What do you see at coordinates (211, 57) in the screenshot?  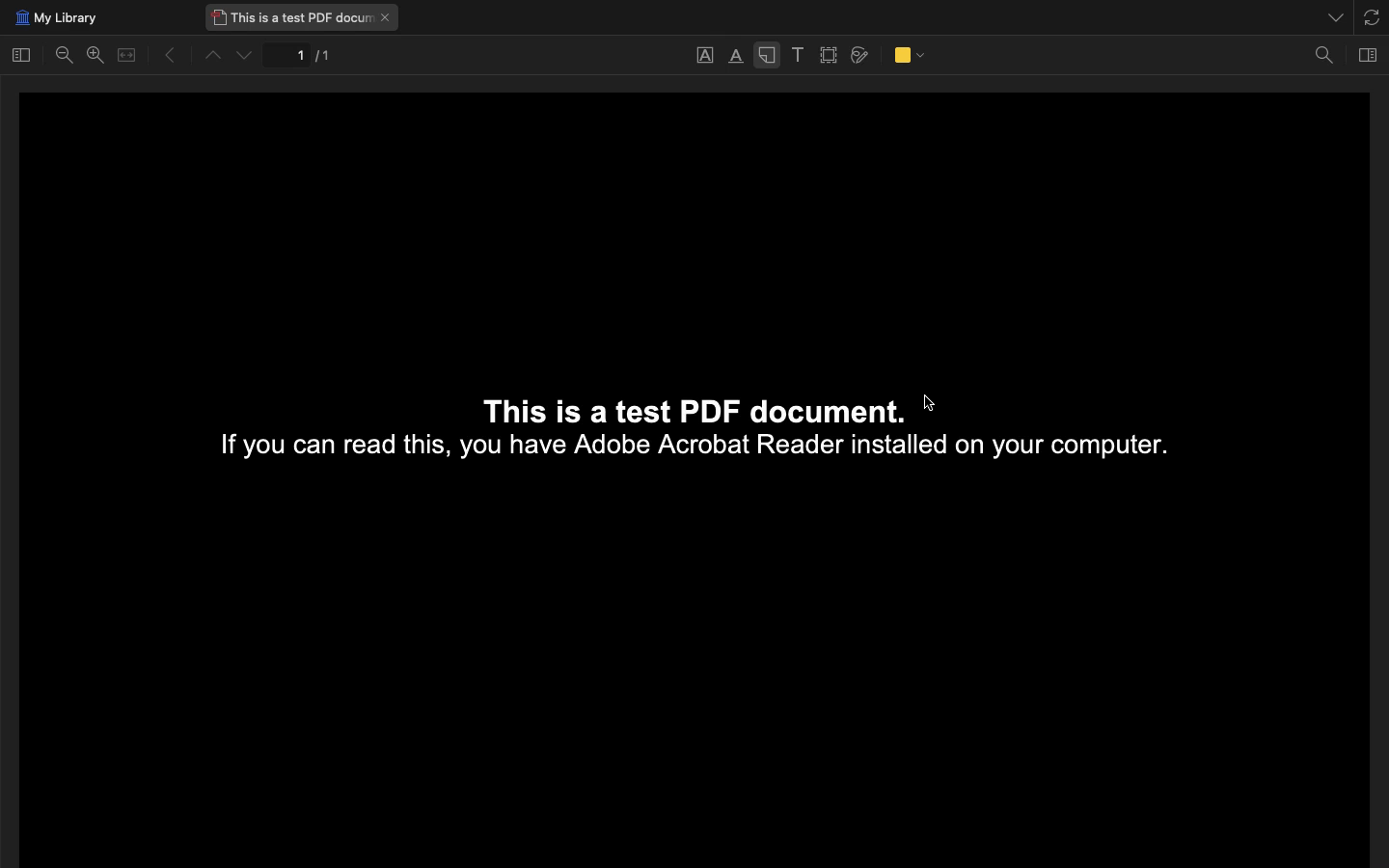 I see `Up` at bounding box center [211, 57].